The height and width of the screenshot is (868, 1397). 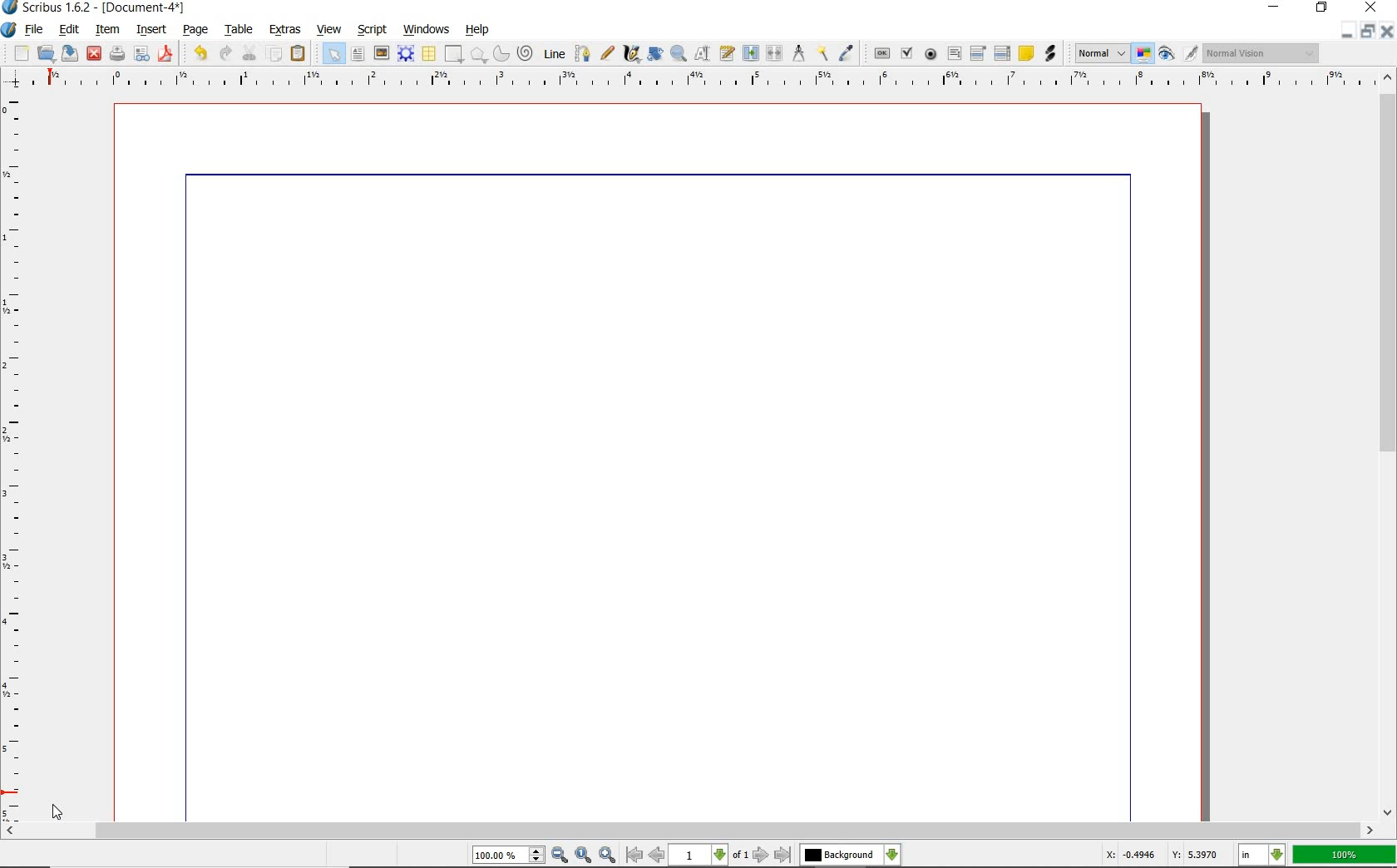 I want to click on file, so click(x=35, y=30).